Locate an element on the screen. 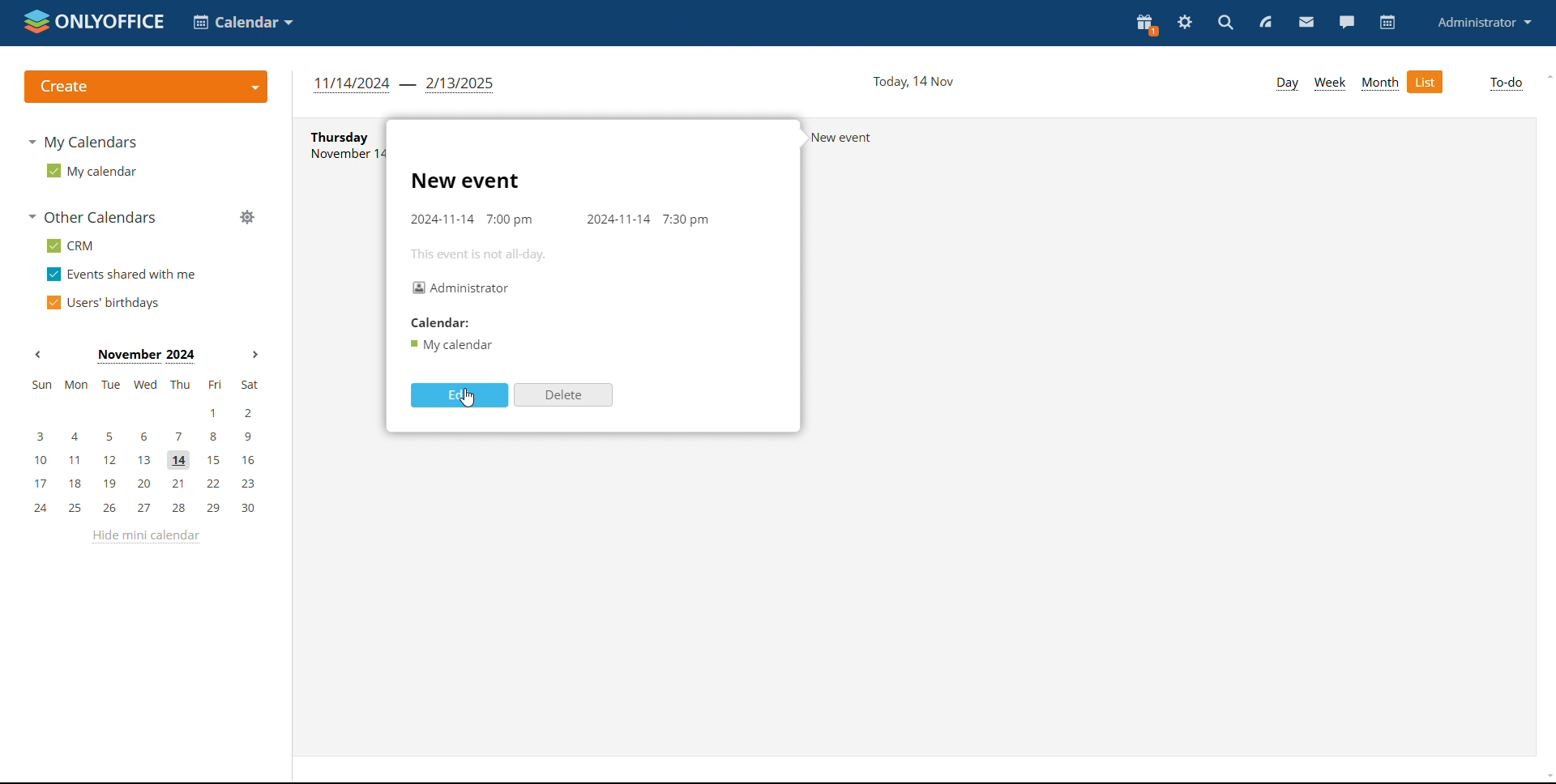  users' birthdays is located at coordinates (100, 303).